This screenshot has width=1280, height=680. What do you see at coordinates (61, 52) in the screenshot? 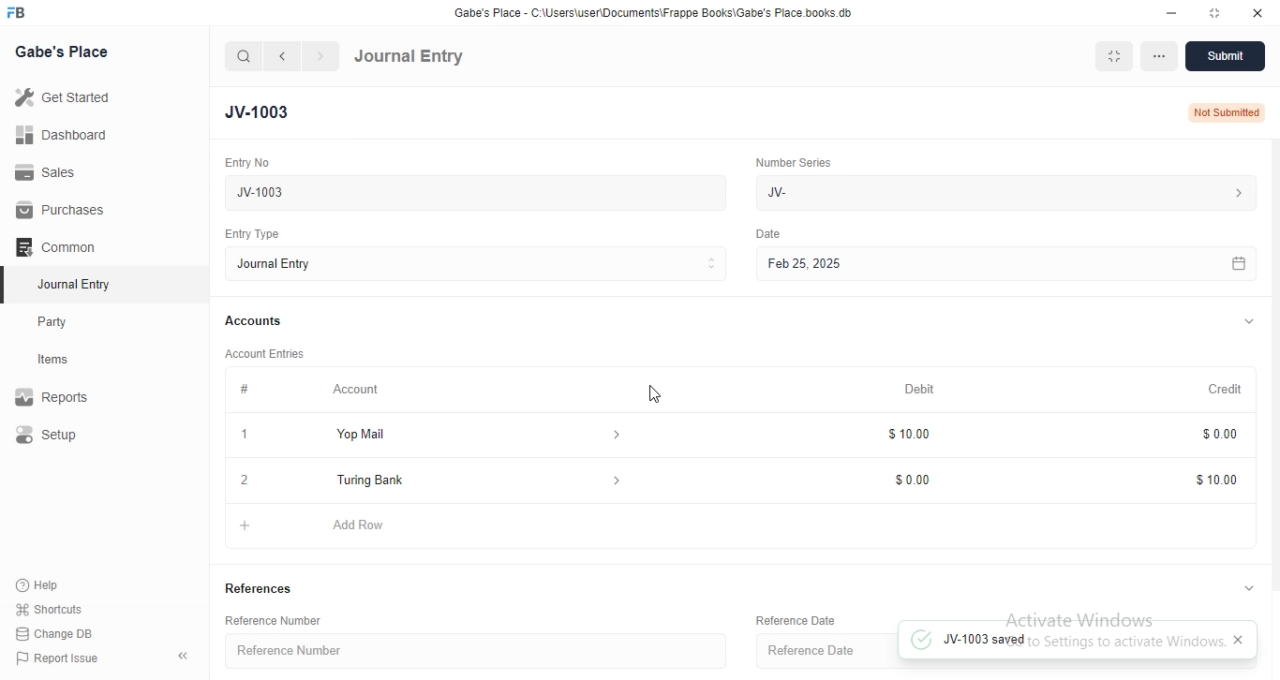
I see `Gabe's Place` at bounding box center [61, 52].